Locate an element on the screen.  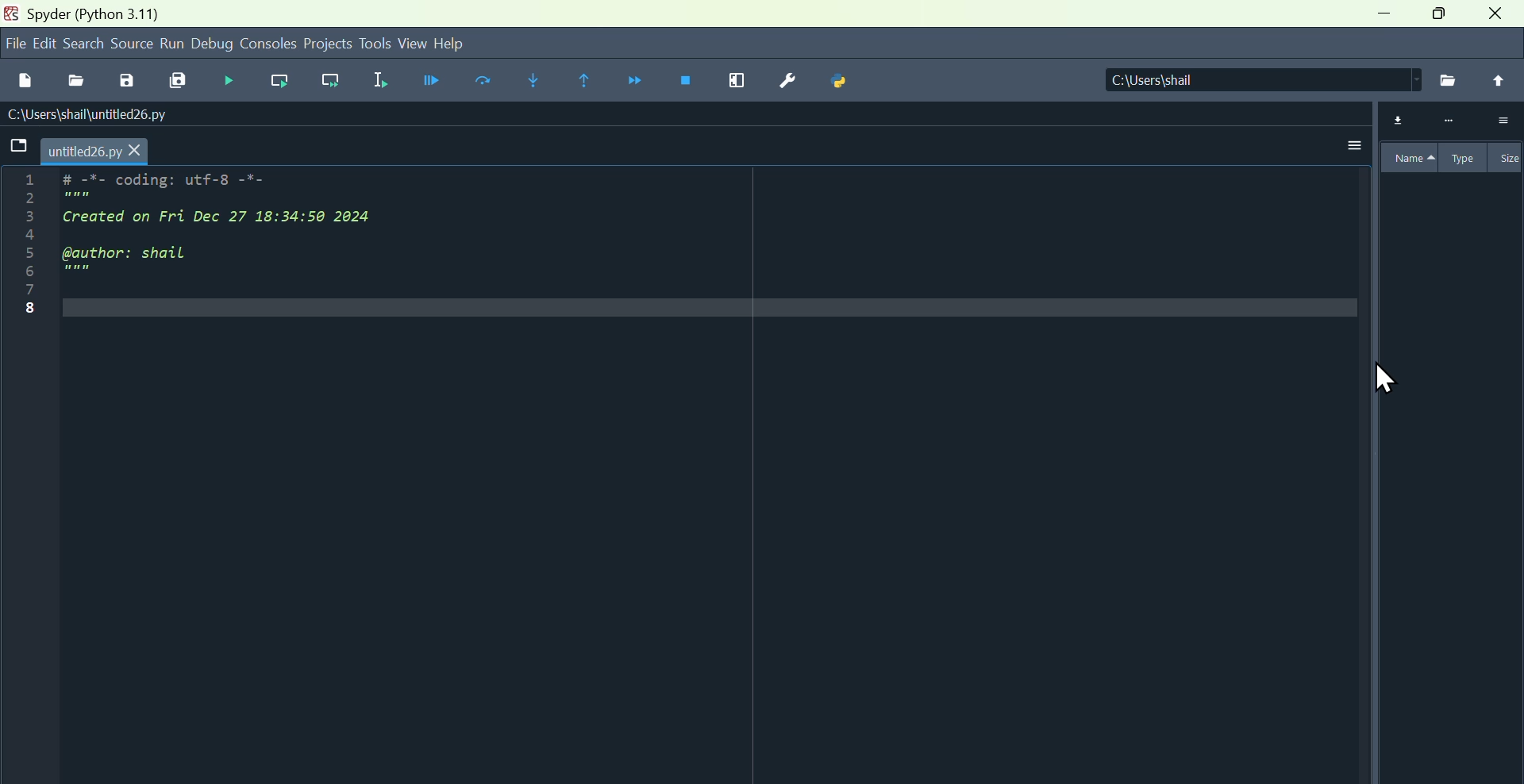
Maximise is located at coordinates (1441, 18).